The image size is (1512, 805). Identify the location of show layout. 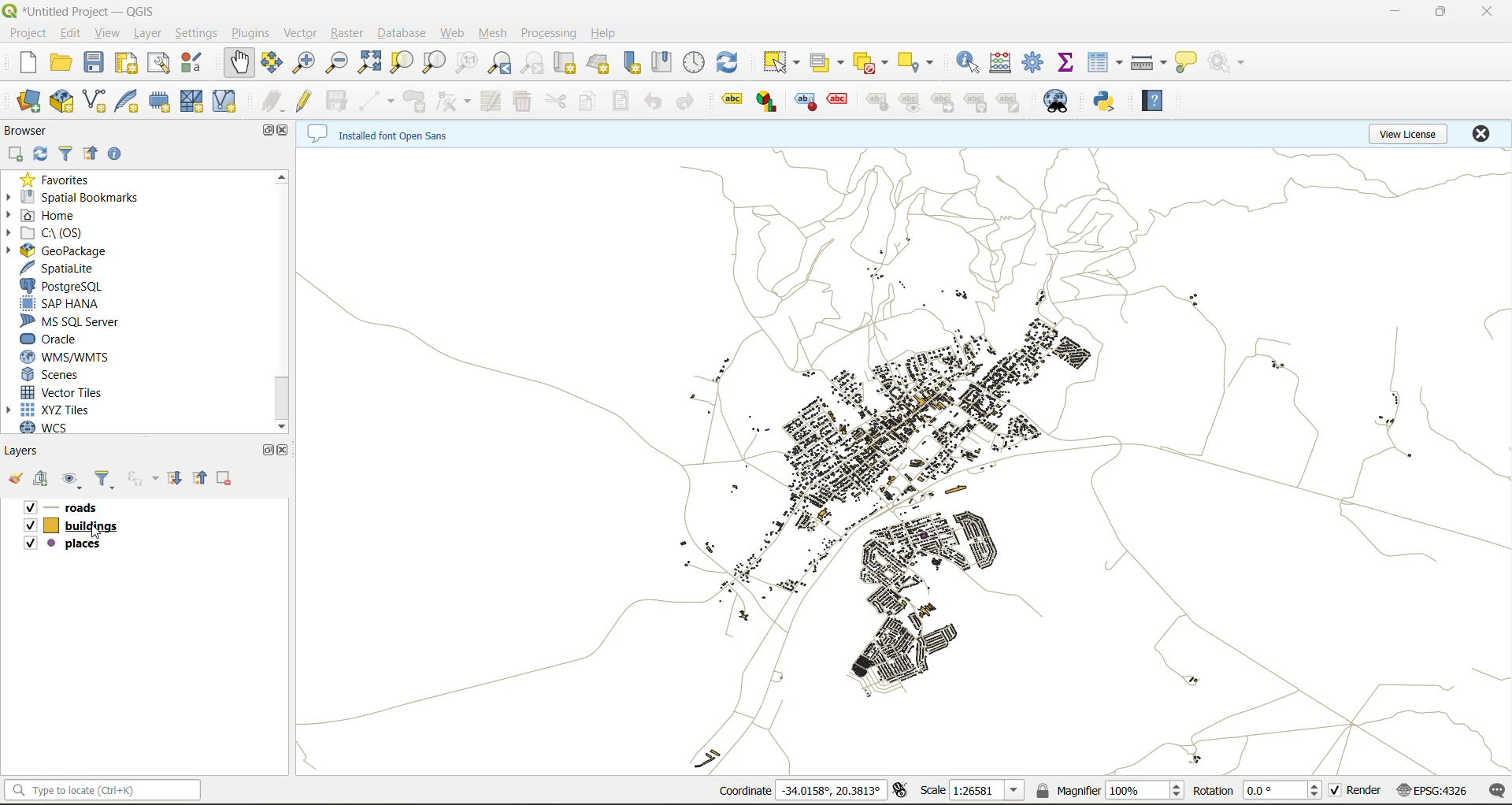
(160, 64).